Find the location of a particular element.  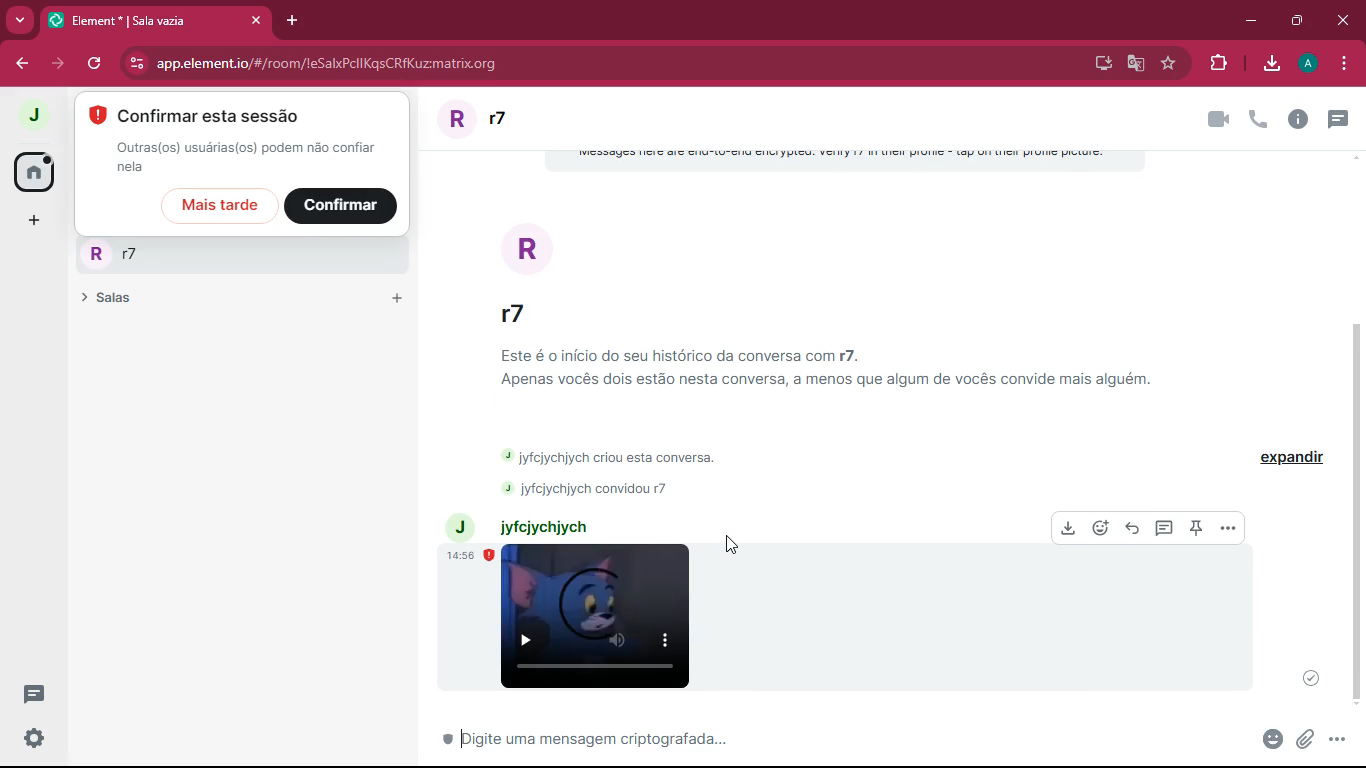

forward is located at coordinates (54, 64).